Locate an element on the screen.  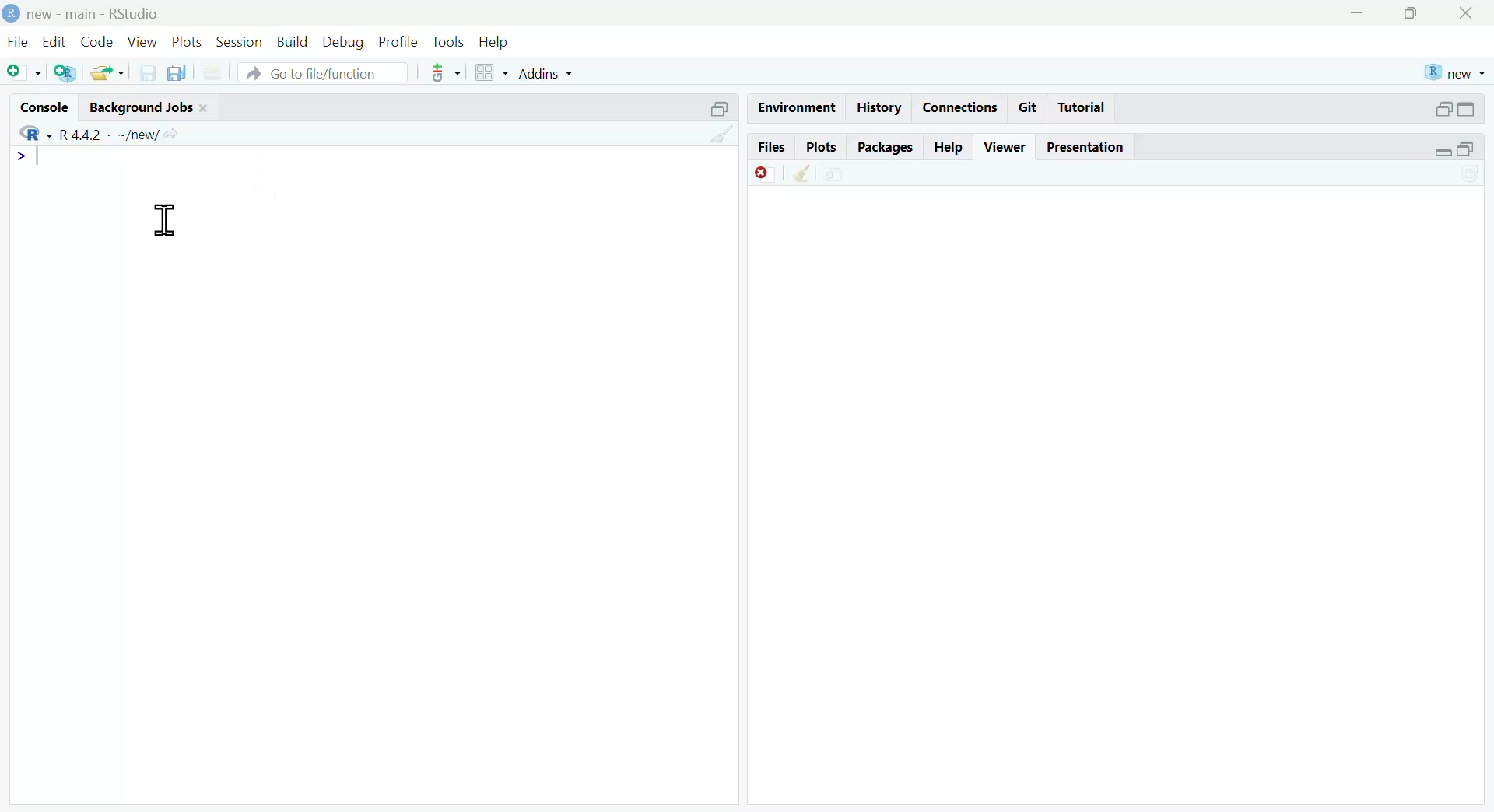
File is located at coordinates (16, 41).